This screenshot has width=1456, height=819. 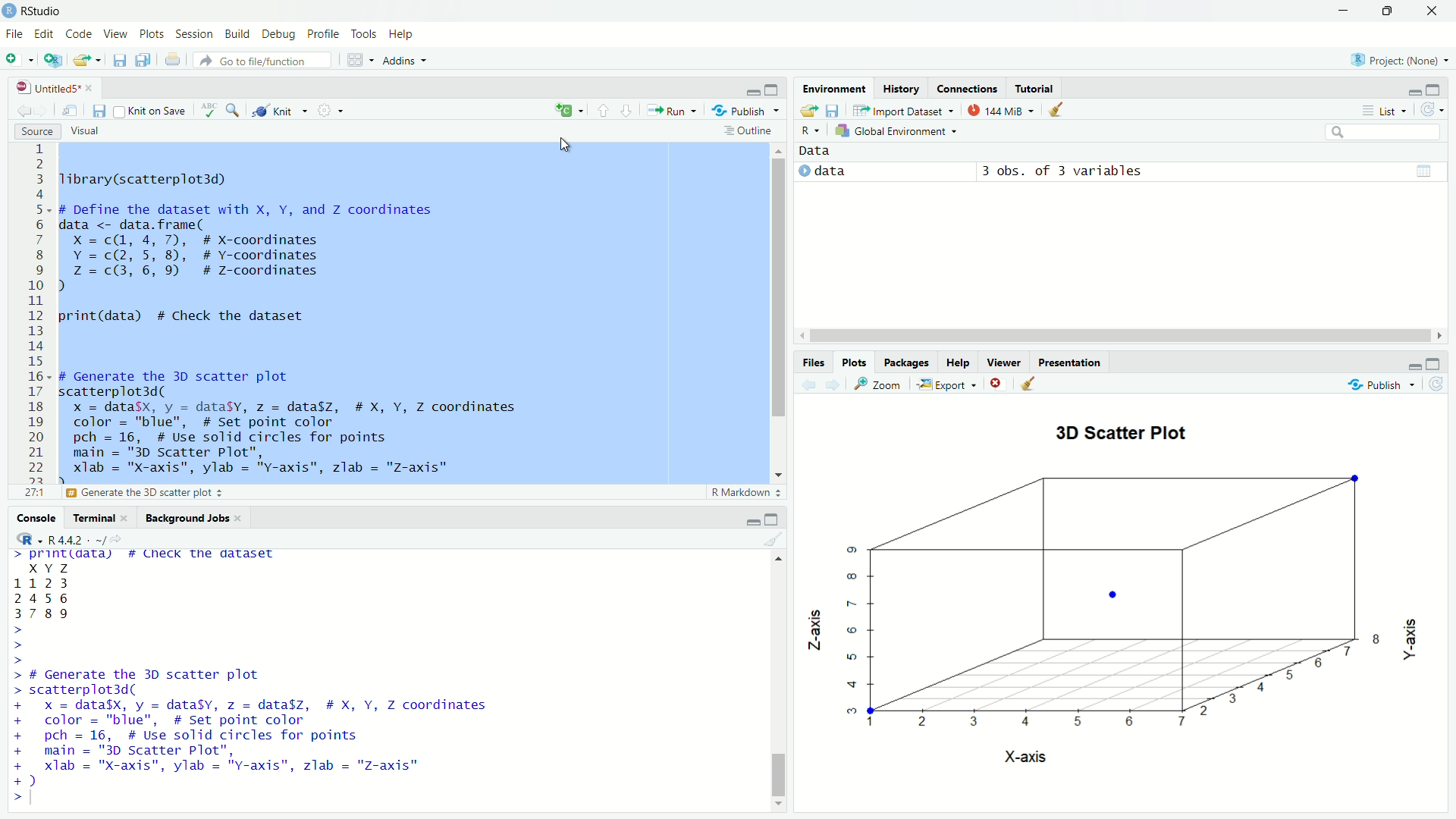 What do you see at coordinates (753, 521) in the screenshot?
I see `minimize` at bounding box center [753, 521].